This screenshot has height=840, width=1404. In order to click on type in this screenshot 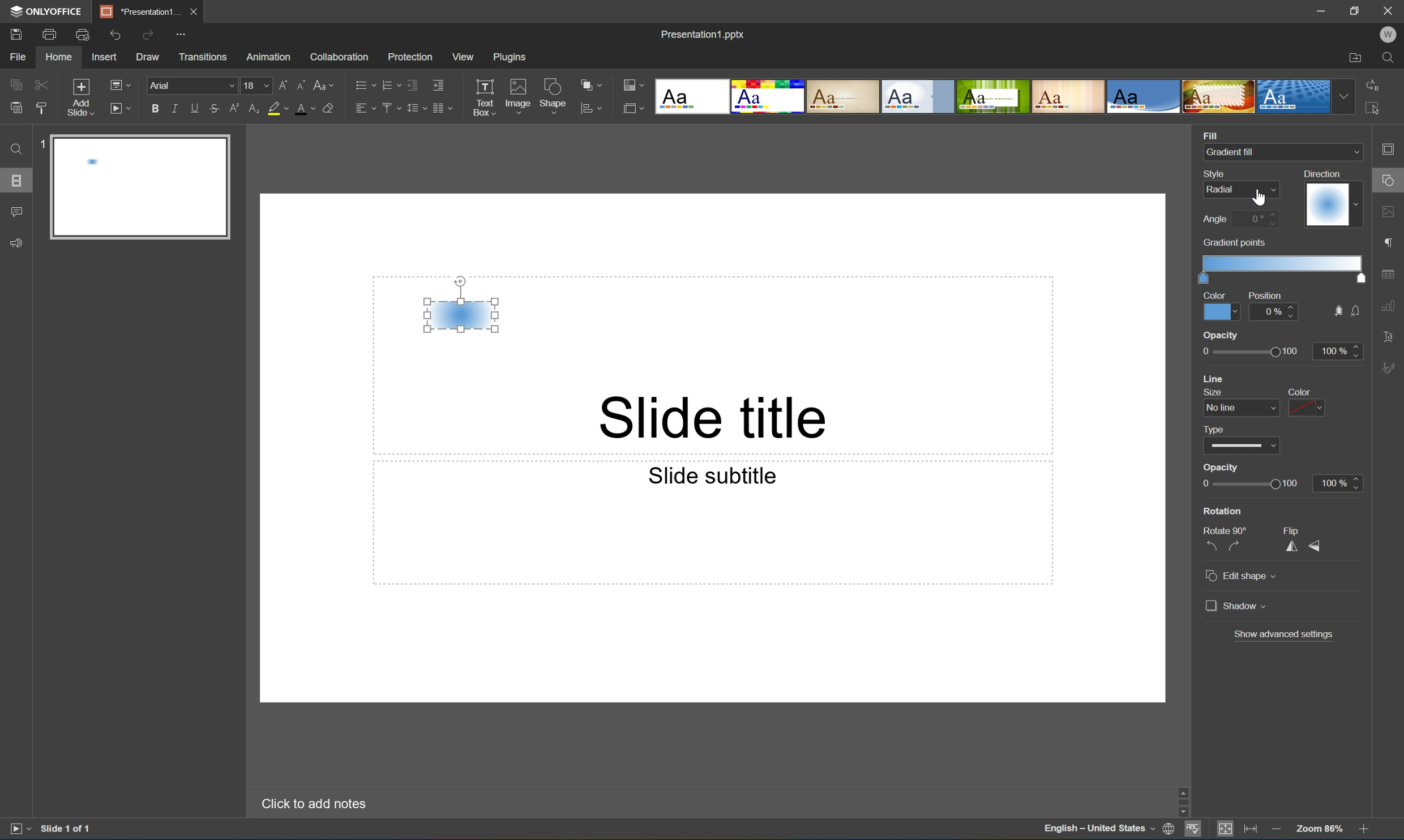, I will do `click(1218, 428)`.